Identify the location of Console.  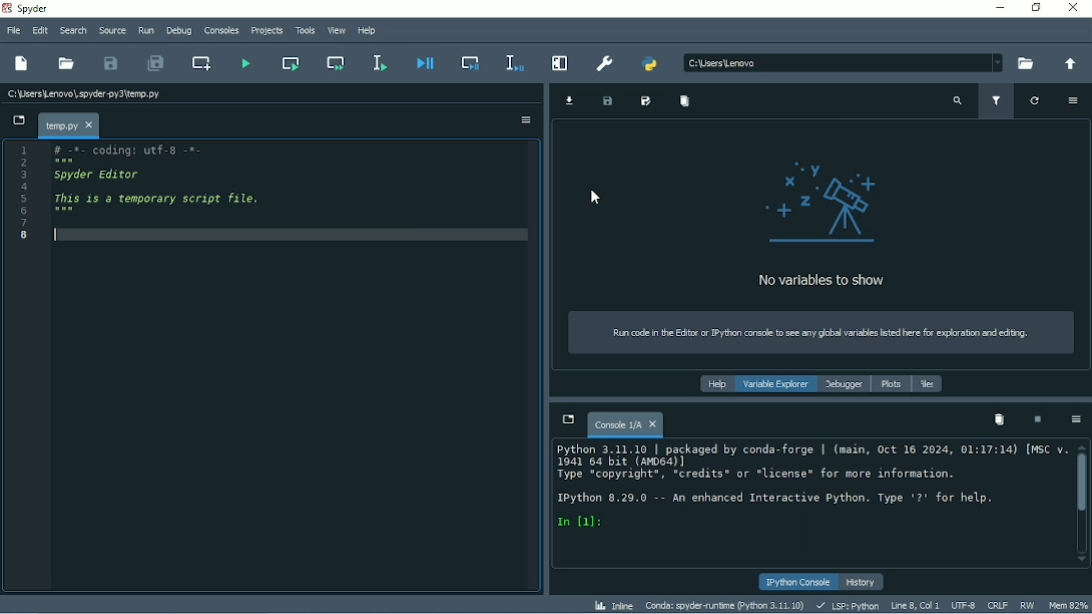
(625, 422).